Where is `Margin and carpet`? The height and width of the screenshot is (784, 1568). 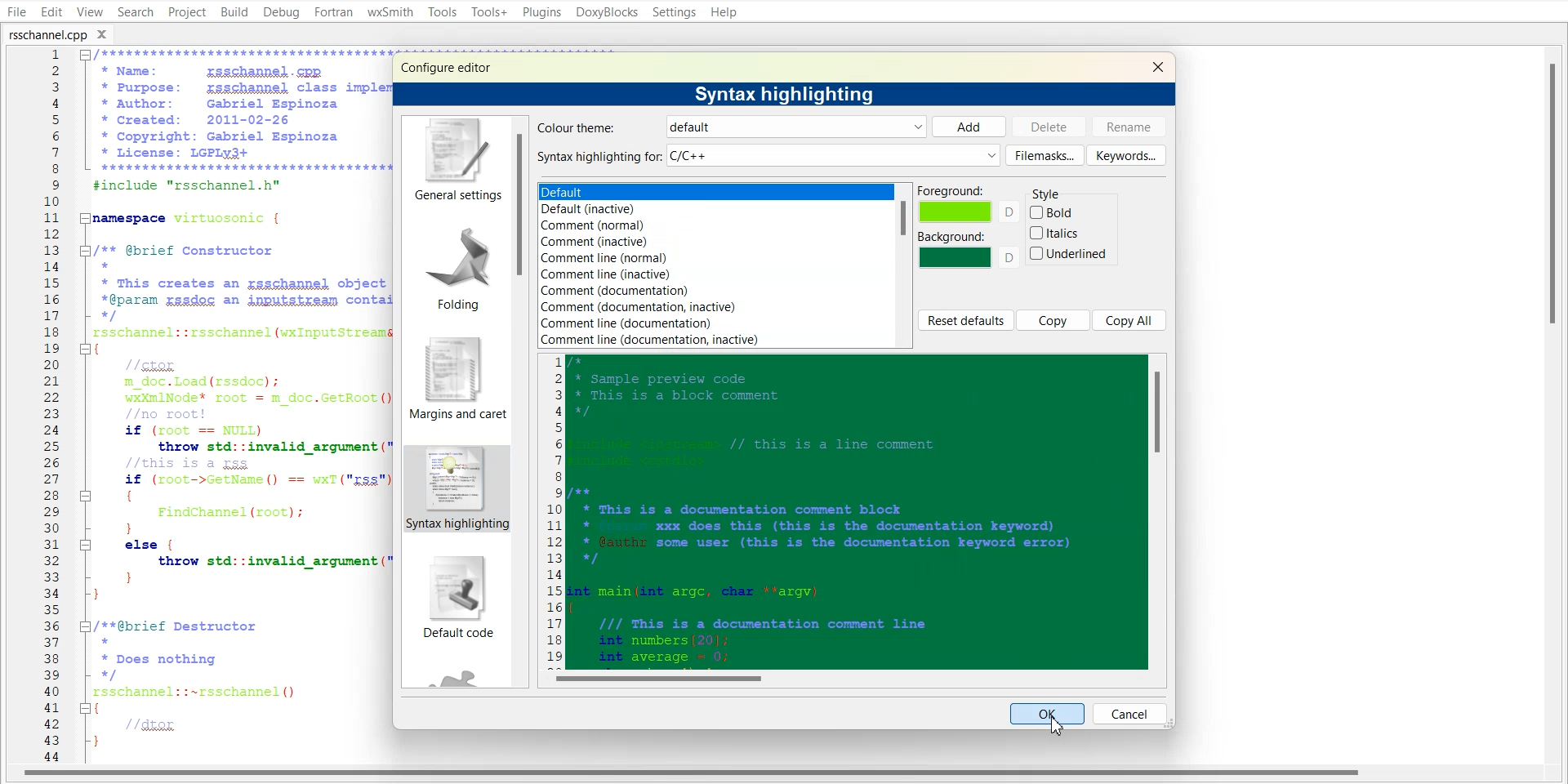 Margin and carpet is located at coordinates (452, 378).